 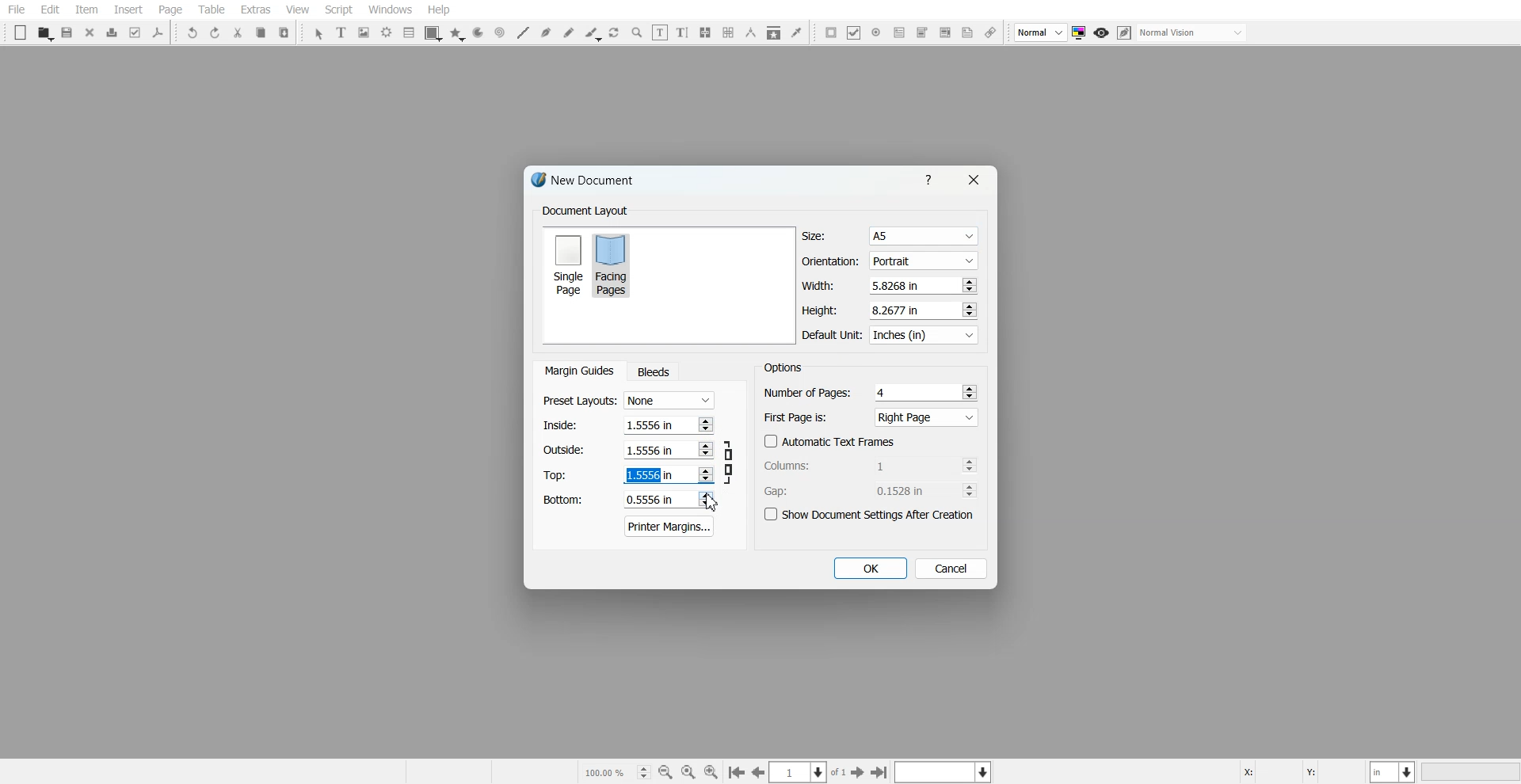 I want to click on Default Unit in Inches, so click(x=891, y=336).